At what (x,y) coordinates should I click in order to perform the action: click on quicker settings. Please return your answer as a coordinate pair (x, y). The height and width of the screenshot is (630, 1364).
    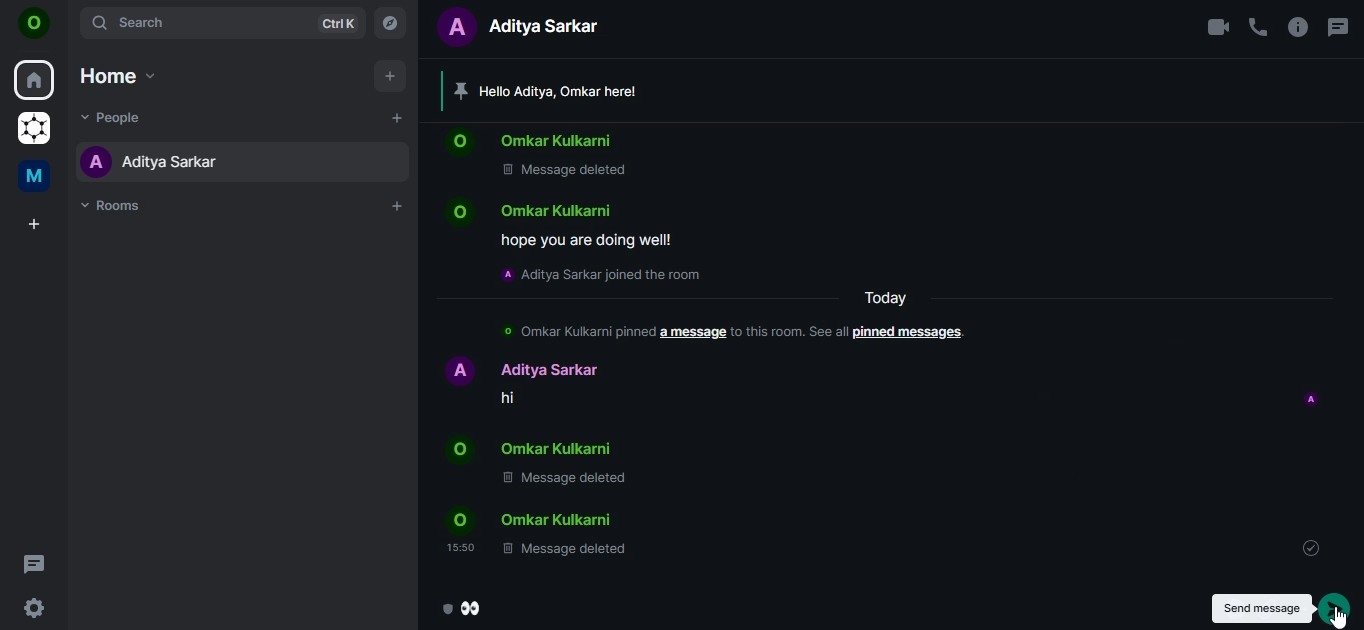
    Looking at the image, I should click on (32, 609).